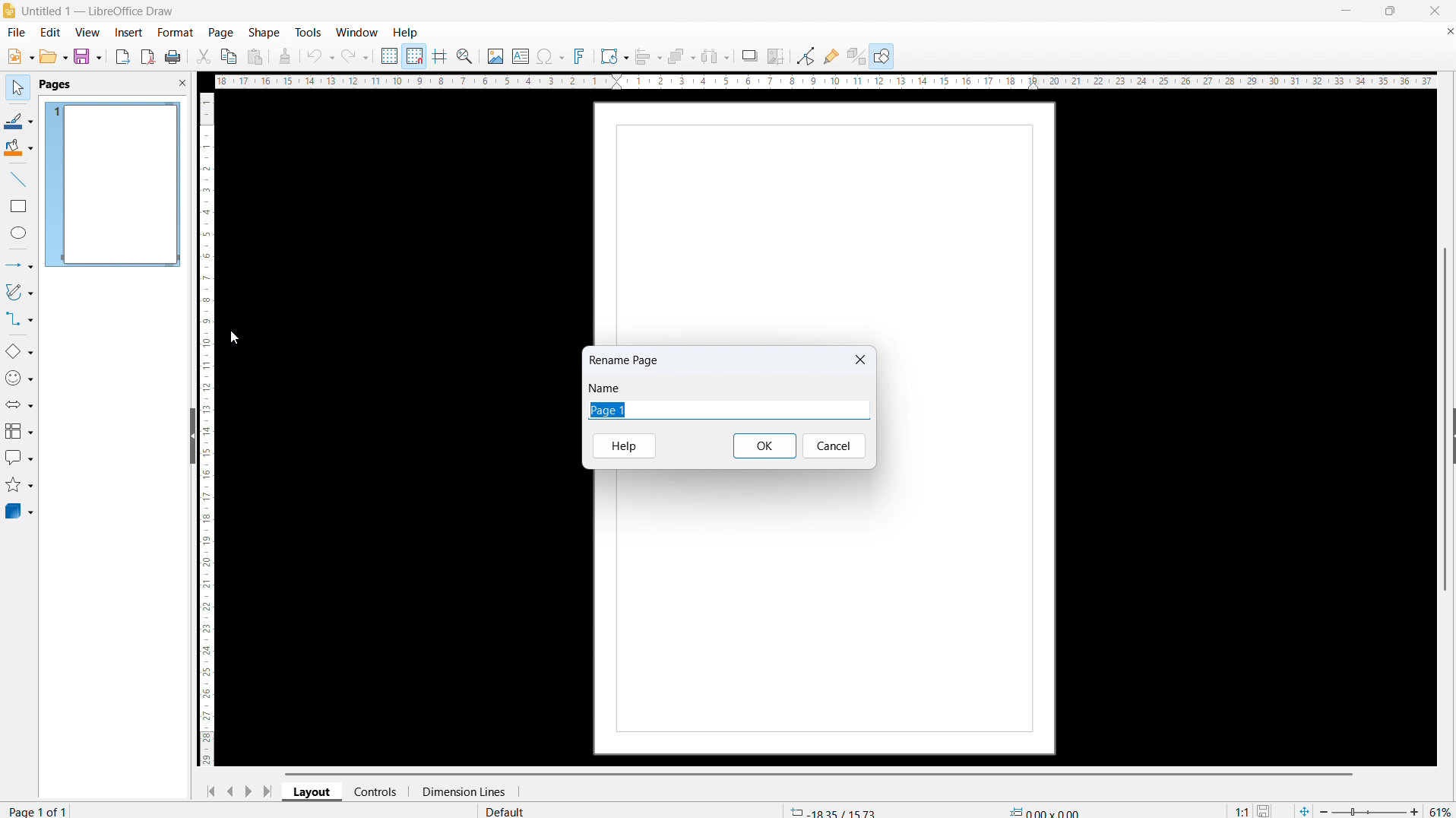 The width and height of the screenshot is (1456, 818). I want to click on transformations, so click(614, 55).